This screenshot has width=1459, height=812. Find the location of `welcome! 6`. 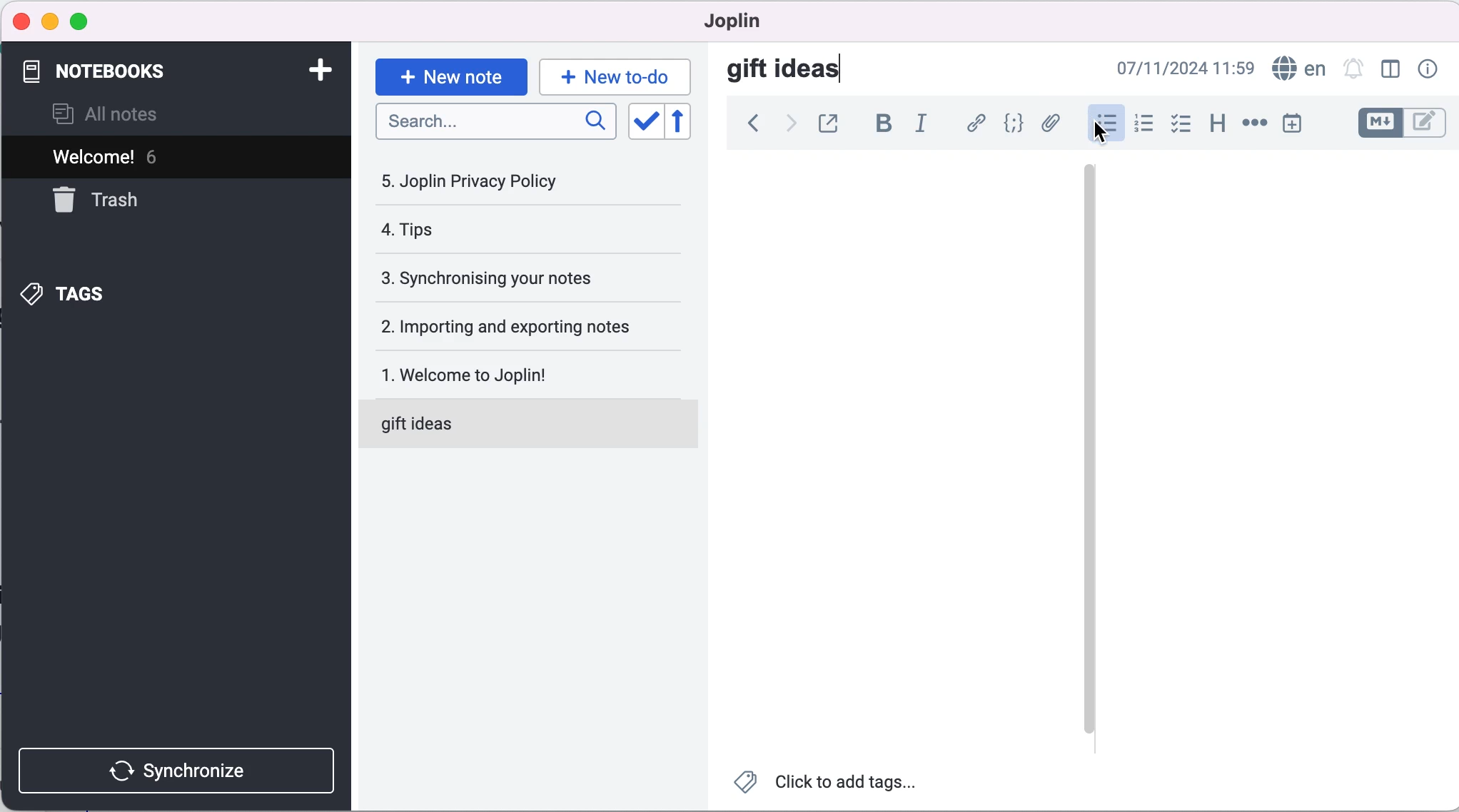

welcome! 6 is located at coordinates (171, 158).